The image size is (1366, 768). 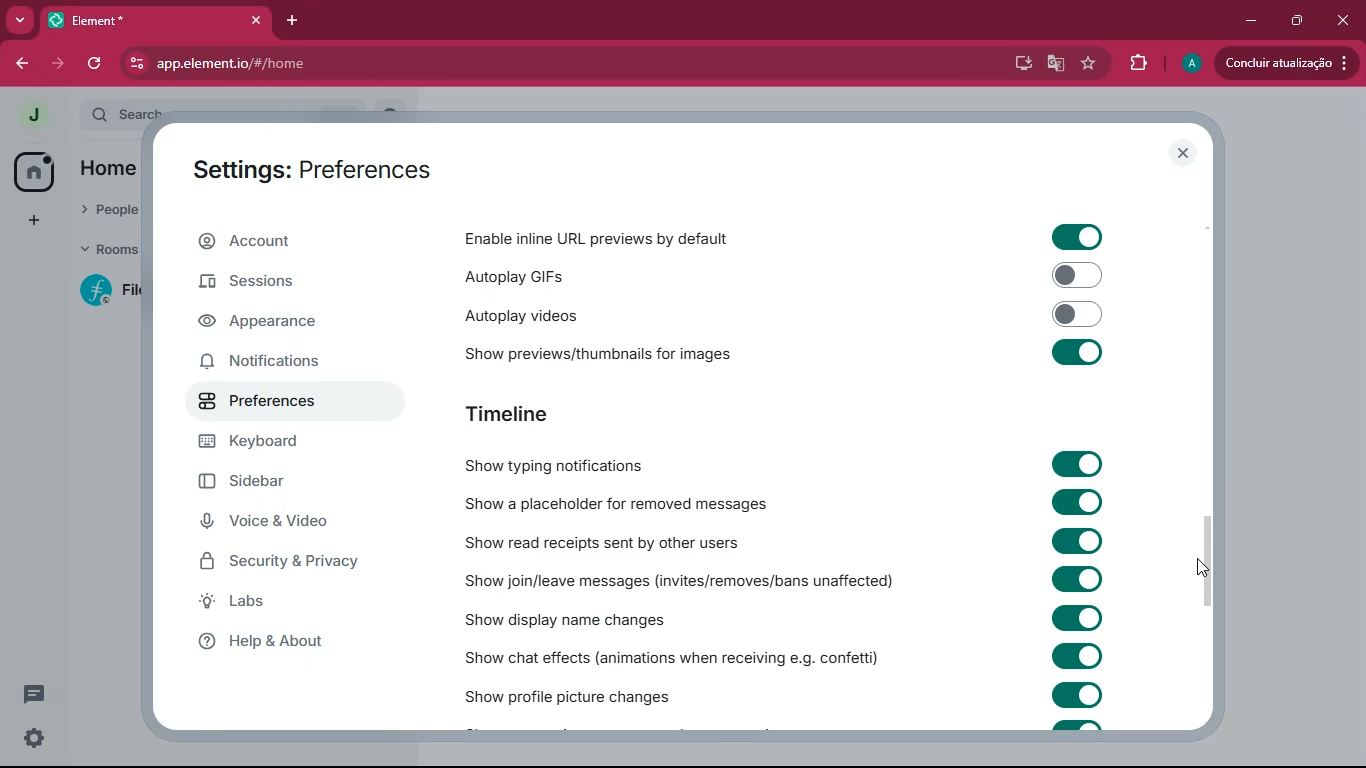 What do you see at coordinates (587, 619) in the screenshot?
I see `show display name changes` at bounding box center [587, 619].